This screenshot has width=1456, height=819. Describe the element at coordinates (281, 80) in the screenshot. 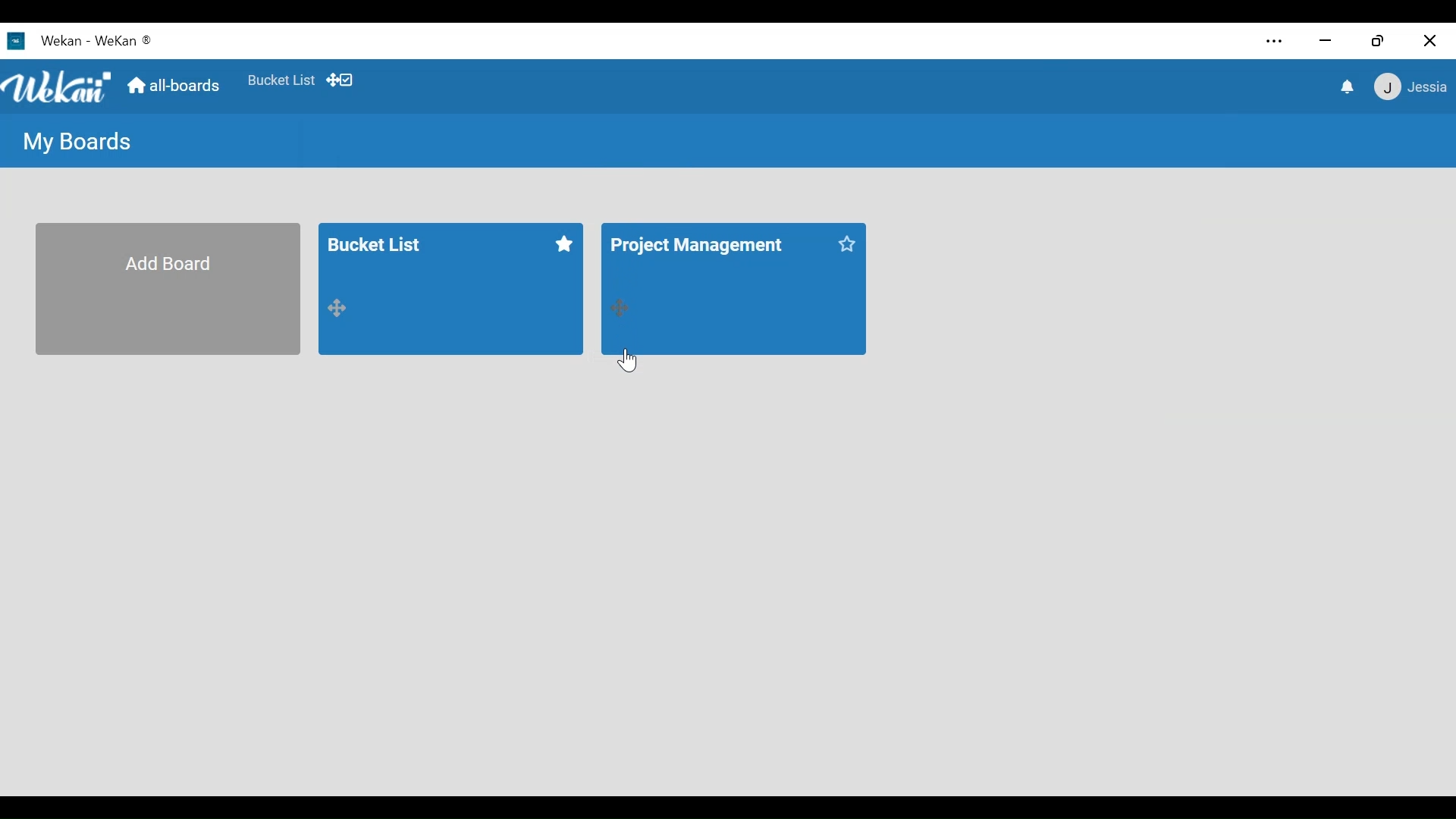

I see `Favorite` at that location.